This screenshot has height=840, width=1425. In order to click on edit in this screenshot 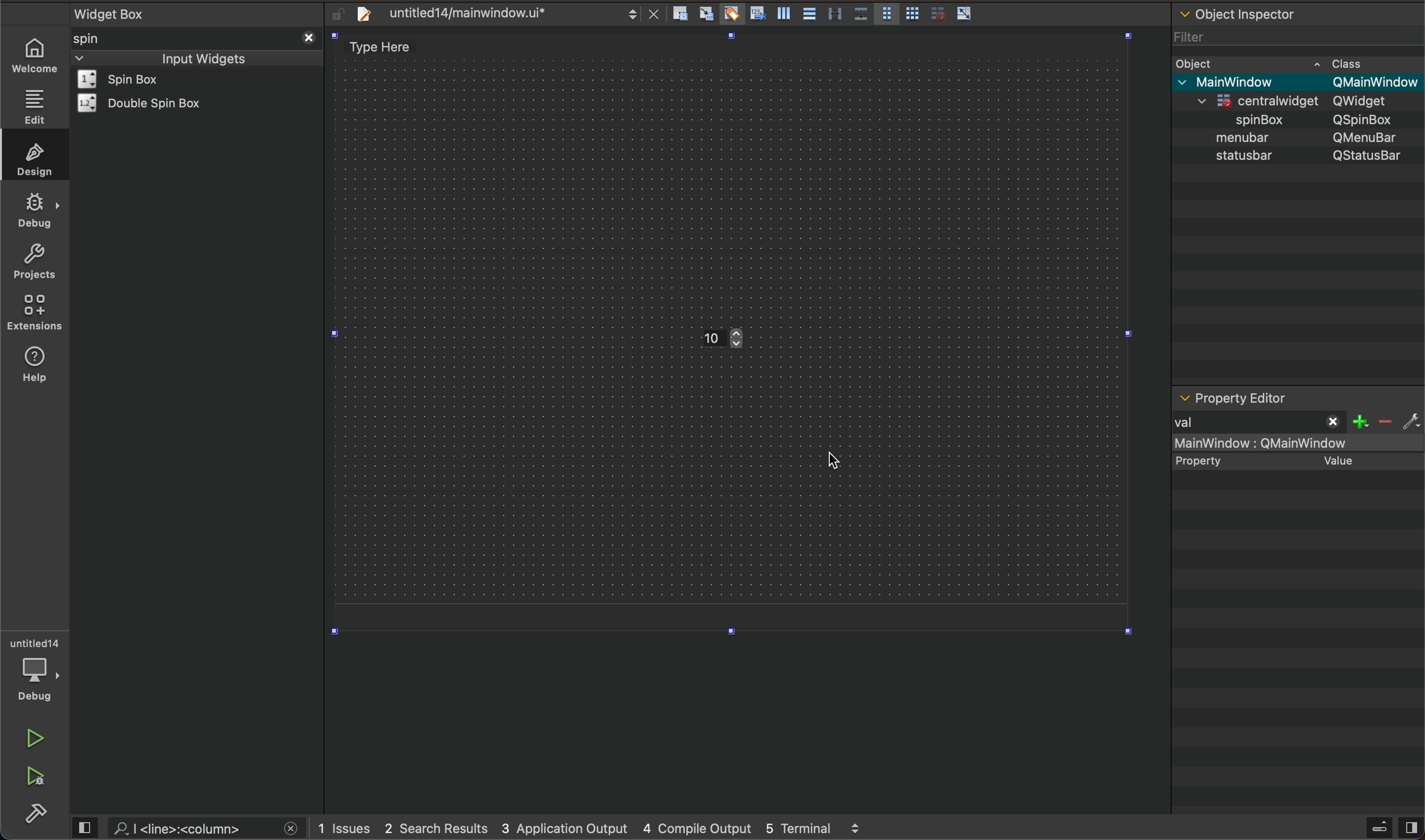, I will do `click(33, 106)`.